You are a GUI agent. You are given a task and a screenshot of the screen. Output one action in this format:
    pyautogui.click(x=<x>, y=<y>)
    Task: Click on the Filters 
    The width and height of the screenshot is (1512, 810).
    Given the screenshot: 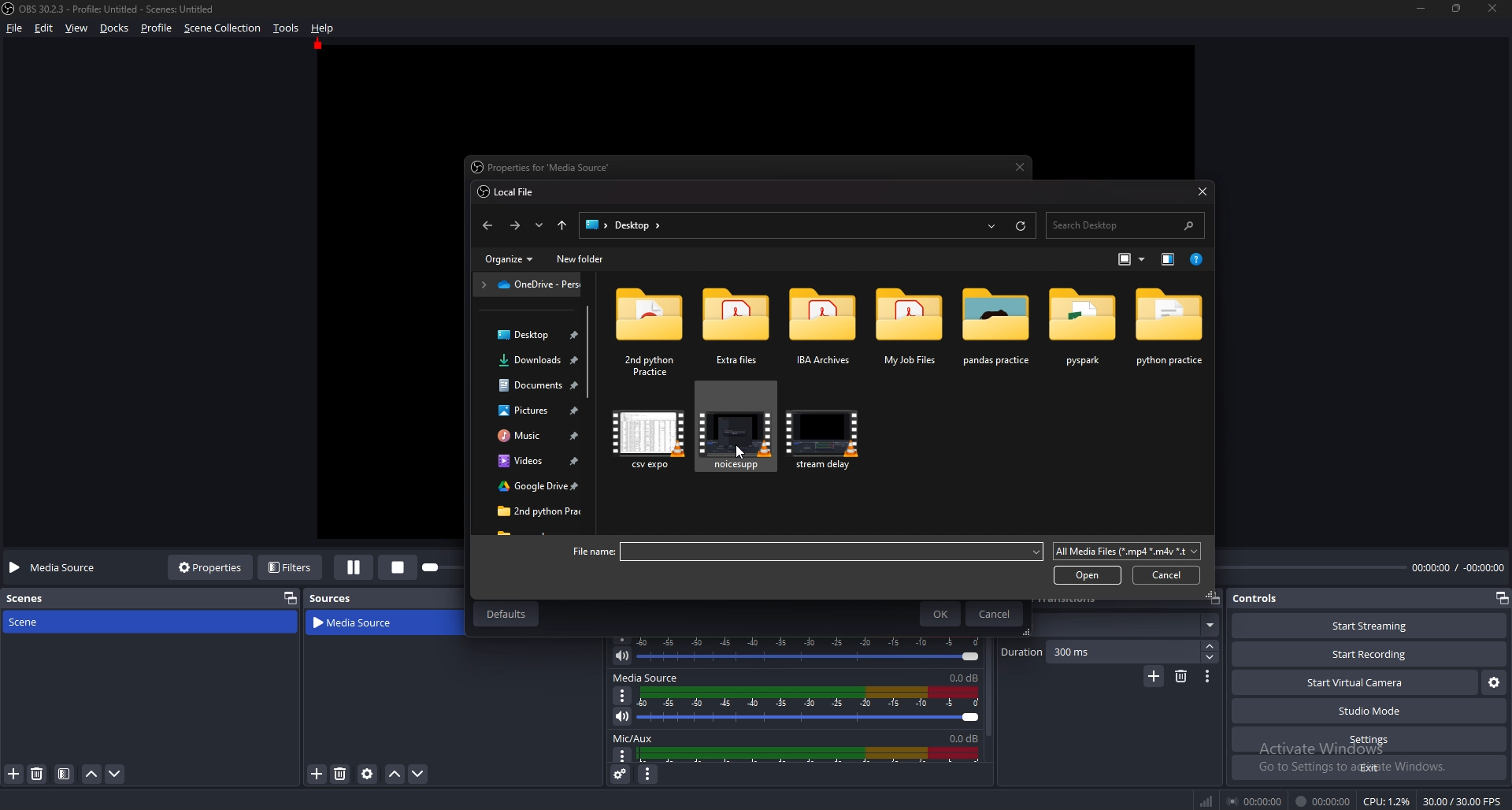 What is the action you would take?
    pyautogui.click(x=292, y=567)
    